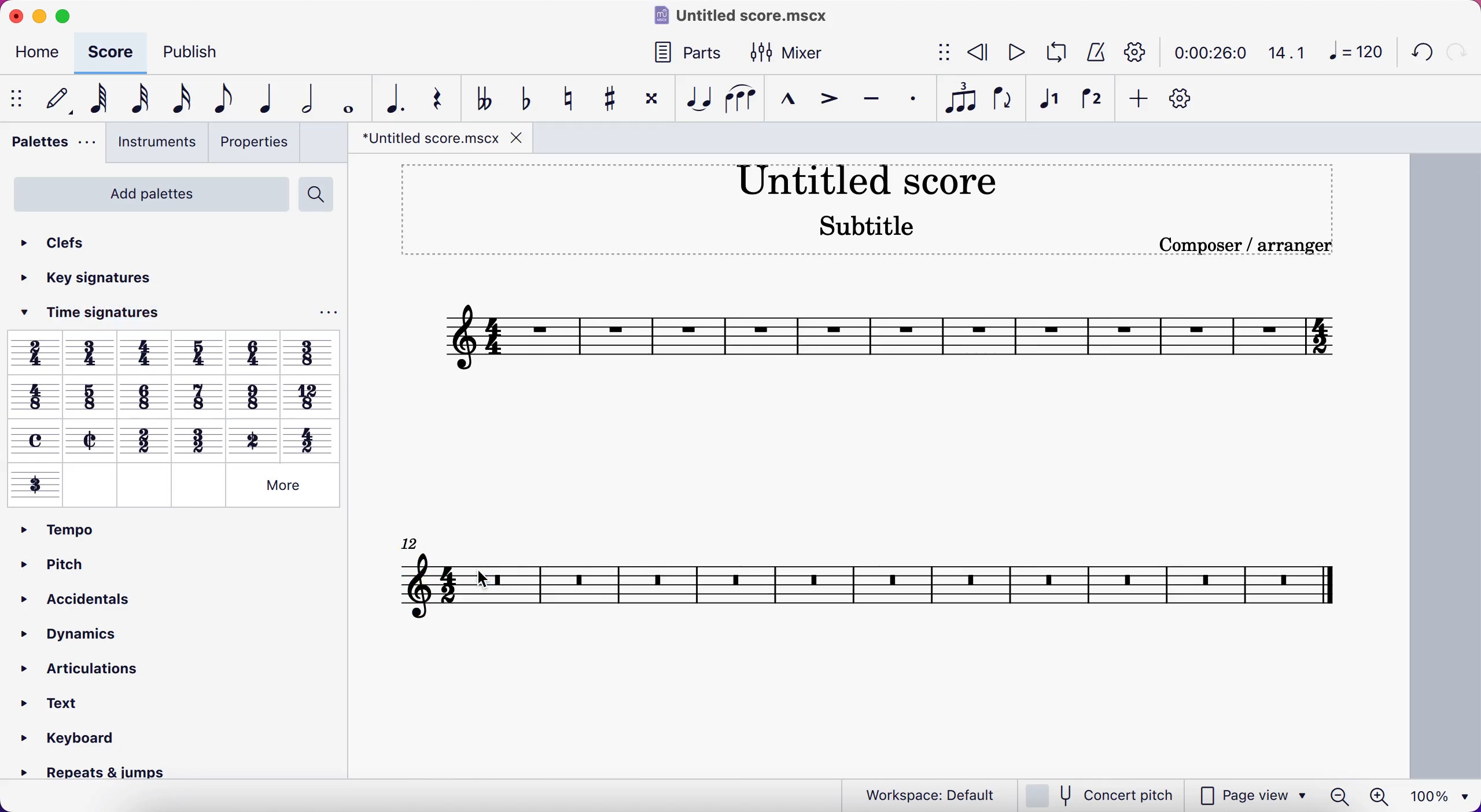 This screenshot has height=812, width=1481. What do you see at coordinates (105, 53) in the screenshot?
I see `score` at bounding box center [105, 53].